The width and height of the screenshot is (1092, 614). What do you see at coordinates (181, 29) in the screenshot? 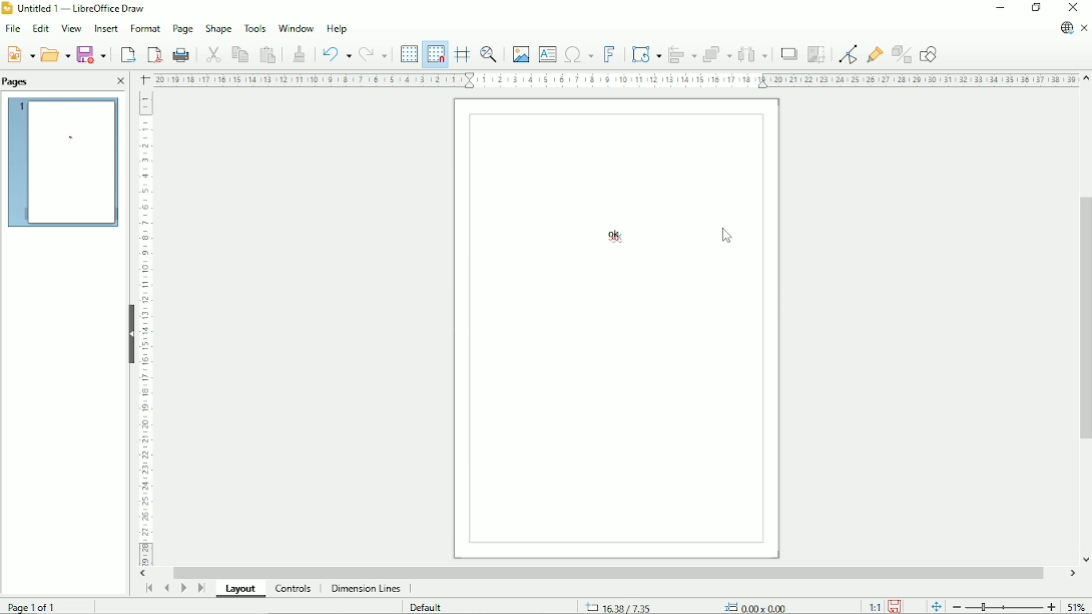
I see `Page` at bounding box center [181, 29].